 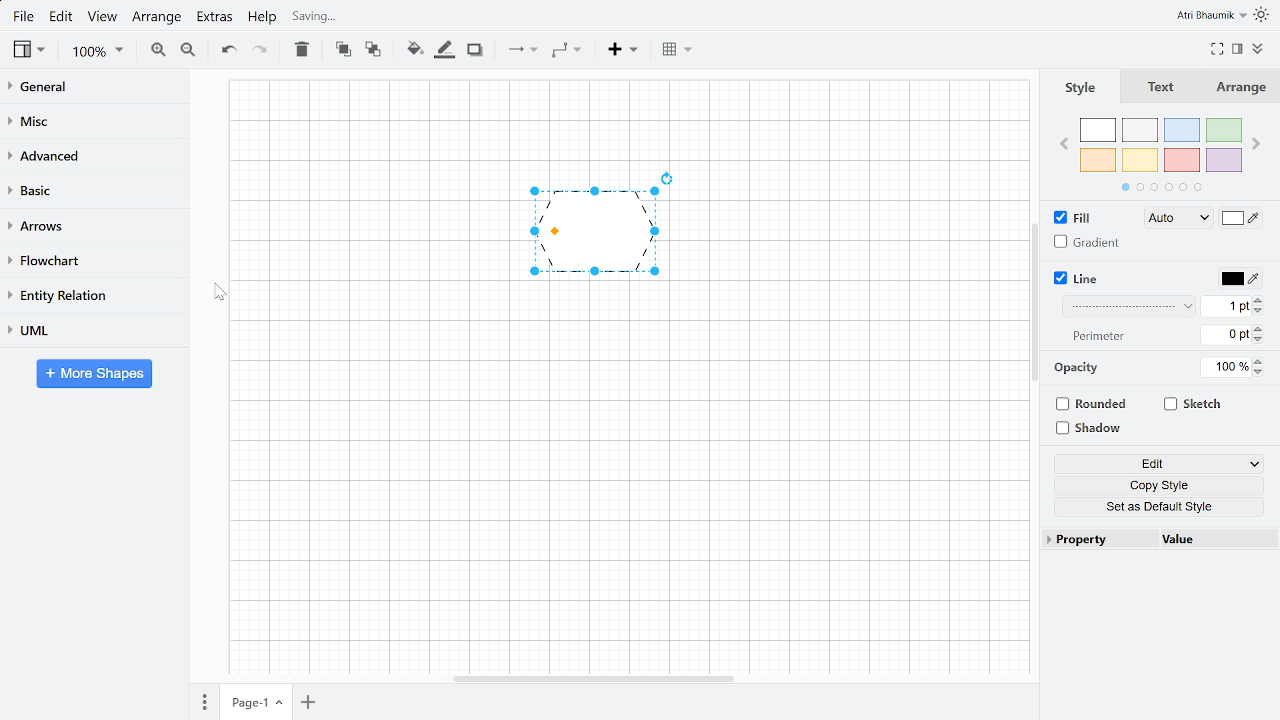 What do you see at coordinates (1160, 464) in the screenshot?
I see `Edit` at bounding box center [1160, 464].